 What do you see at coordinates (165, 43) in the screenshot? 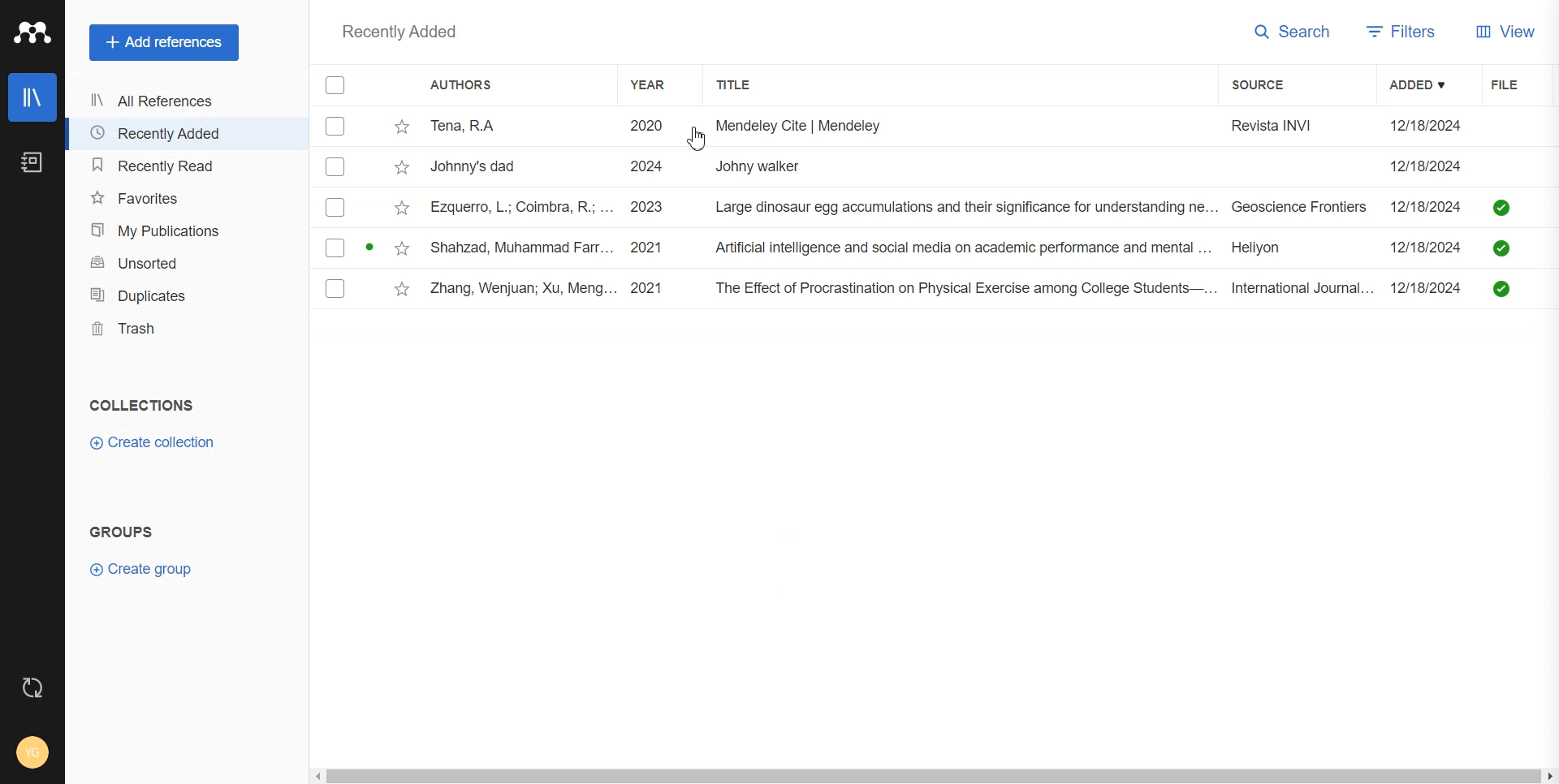
I see `Add References` at bounding box center [165, 43].